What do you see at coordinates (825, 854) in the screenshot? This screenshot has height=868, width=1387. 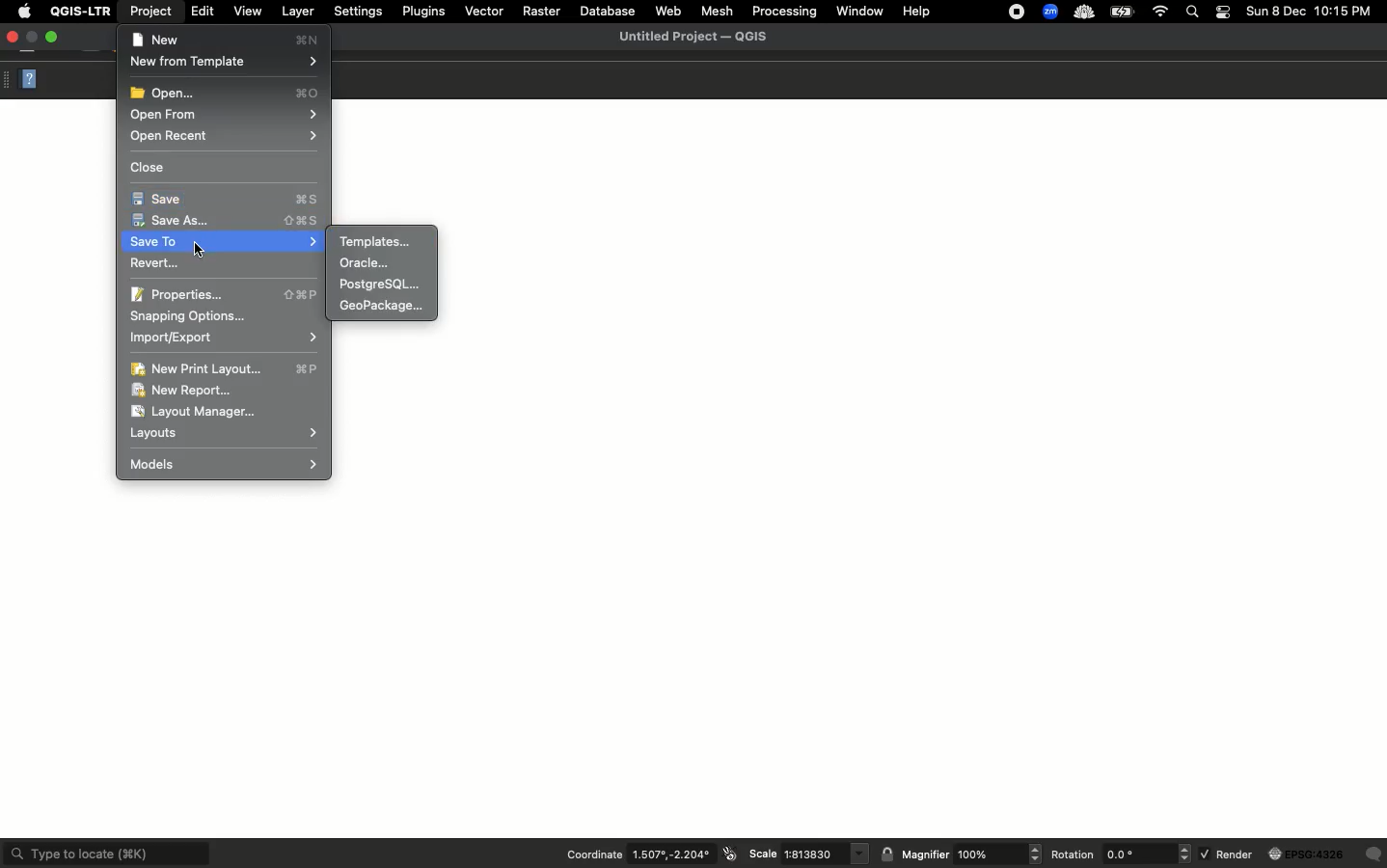 I see `scale` at bounding box center [825, 854].